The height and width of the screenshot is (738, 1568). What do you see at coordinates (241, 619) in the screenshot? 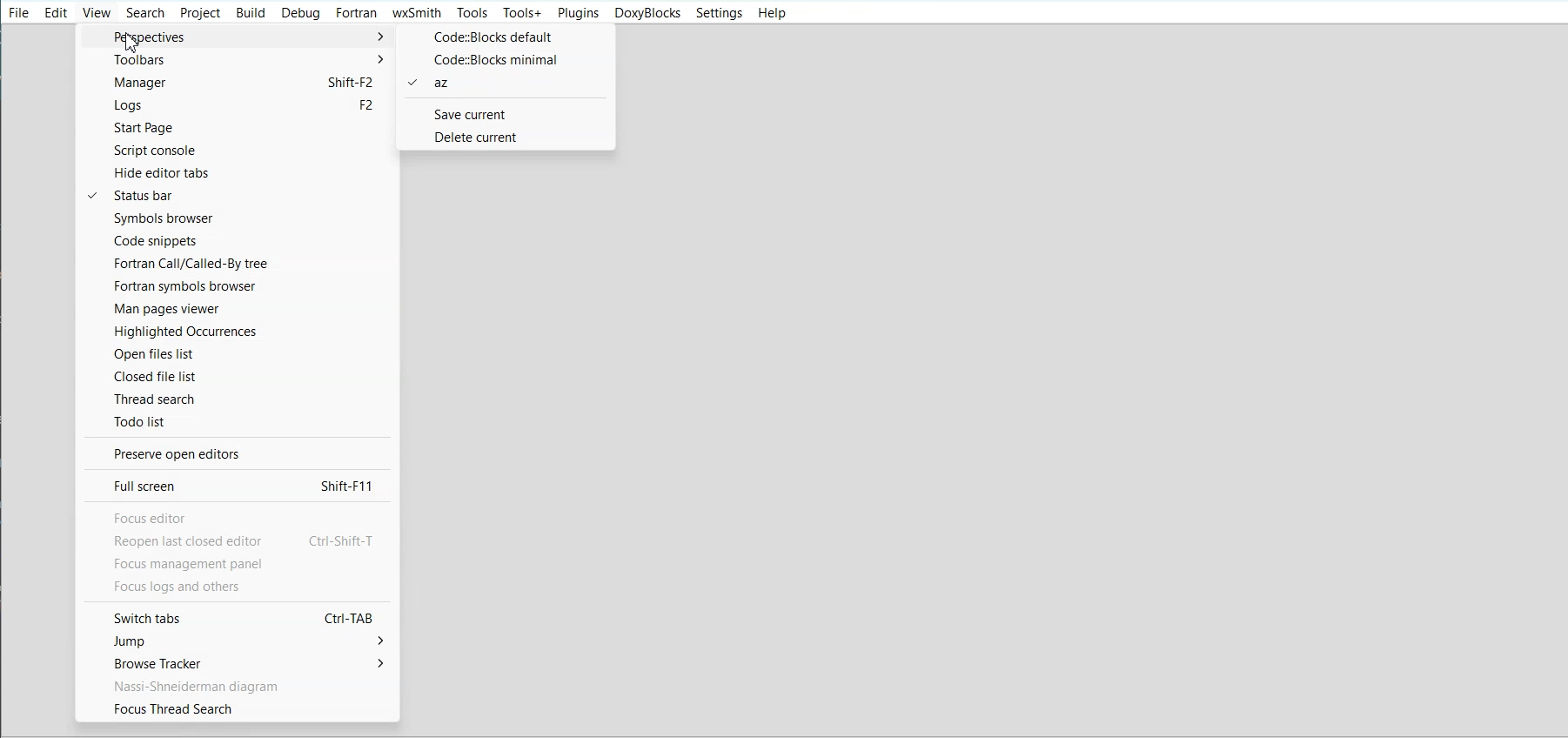
I see `Switch tabs` at bounding box center [241, 619].